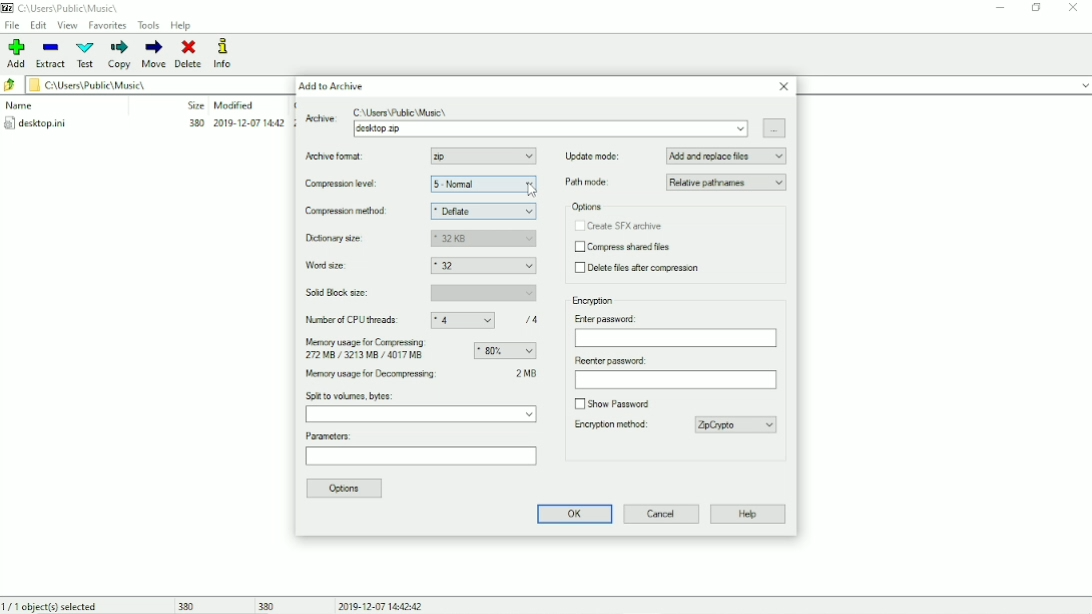 Image resolution: width=1092 pixels, height=614 pixels. What do you see at coordinates (674, 330) in the screenshot?
I see `Enter password` at bounding box center [674, 330].